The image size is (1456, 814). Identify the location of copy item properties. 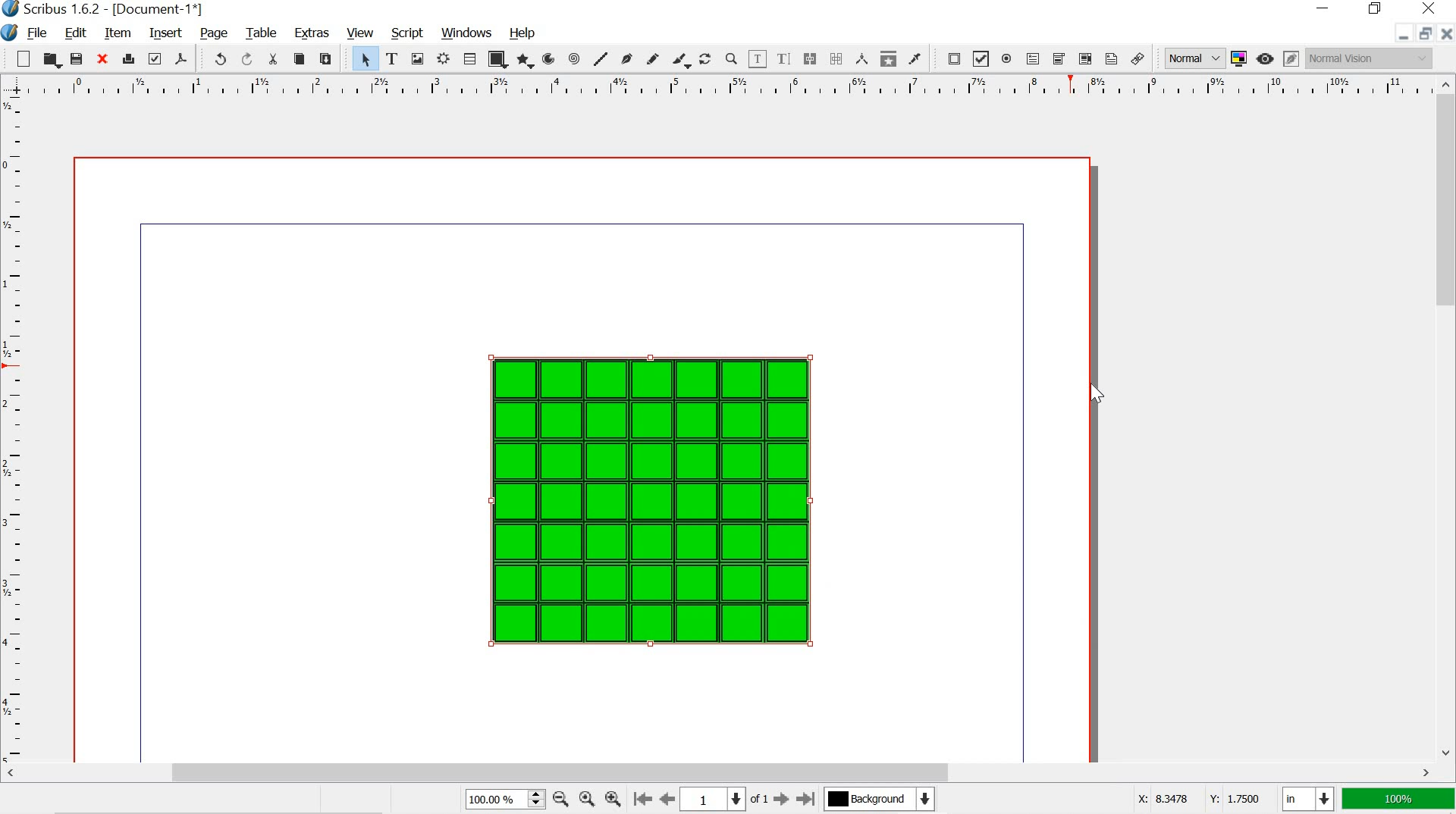
(886, 58).